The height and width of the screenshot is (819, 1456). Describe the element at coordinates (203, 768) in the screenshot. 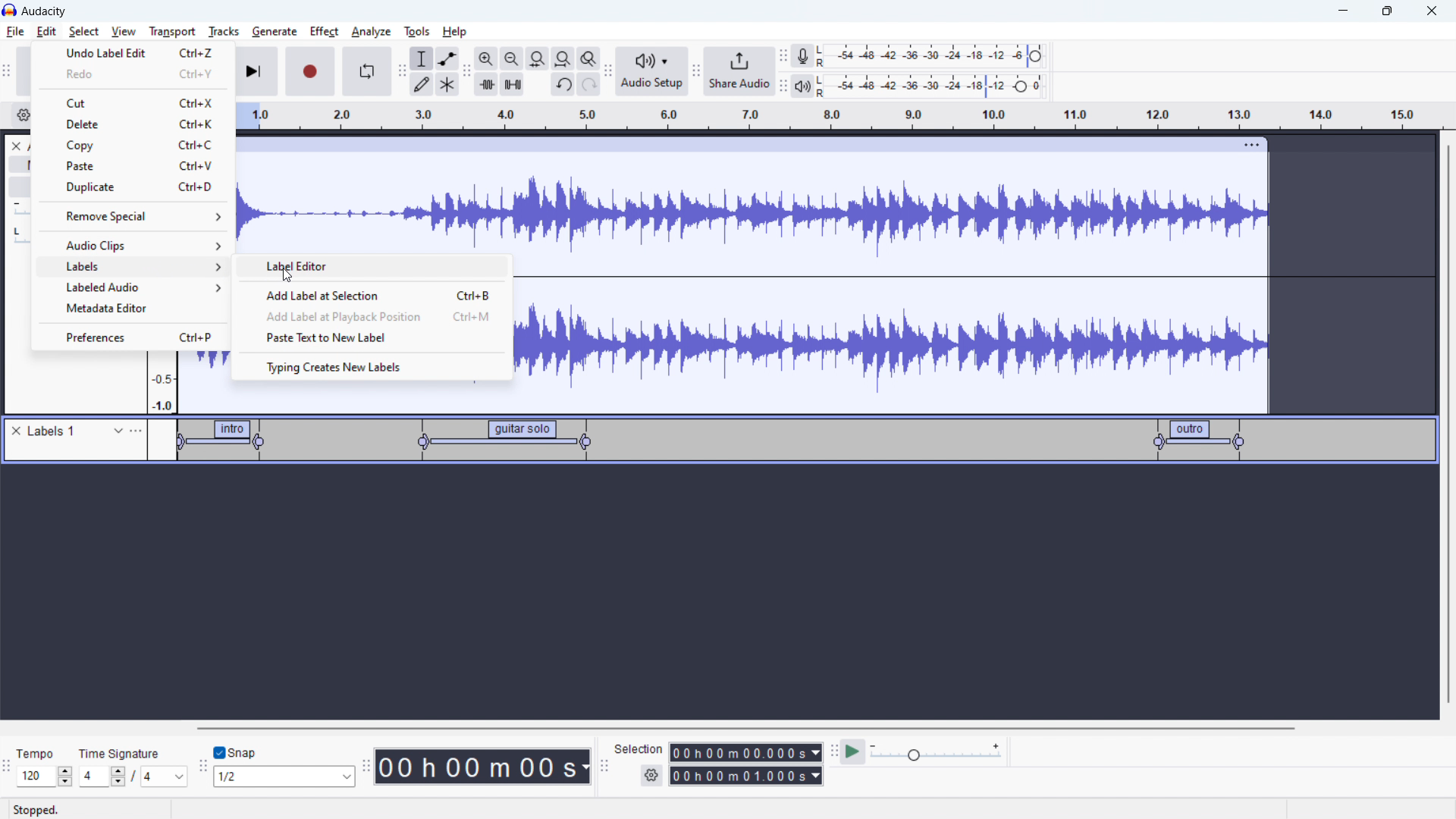

I see `snapping toolbar` at that location.